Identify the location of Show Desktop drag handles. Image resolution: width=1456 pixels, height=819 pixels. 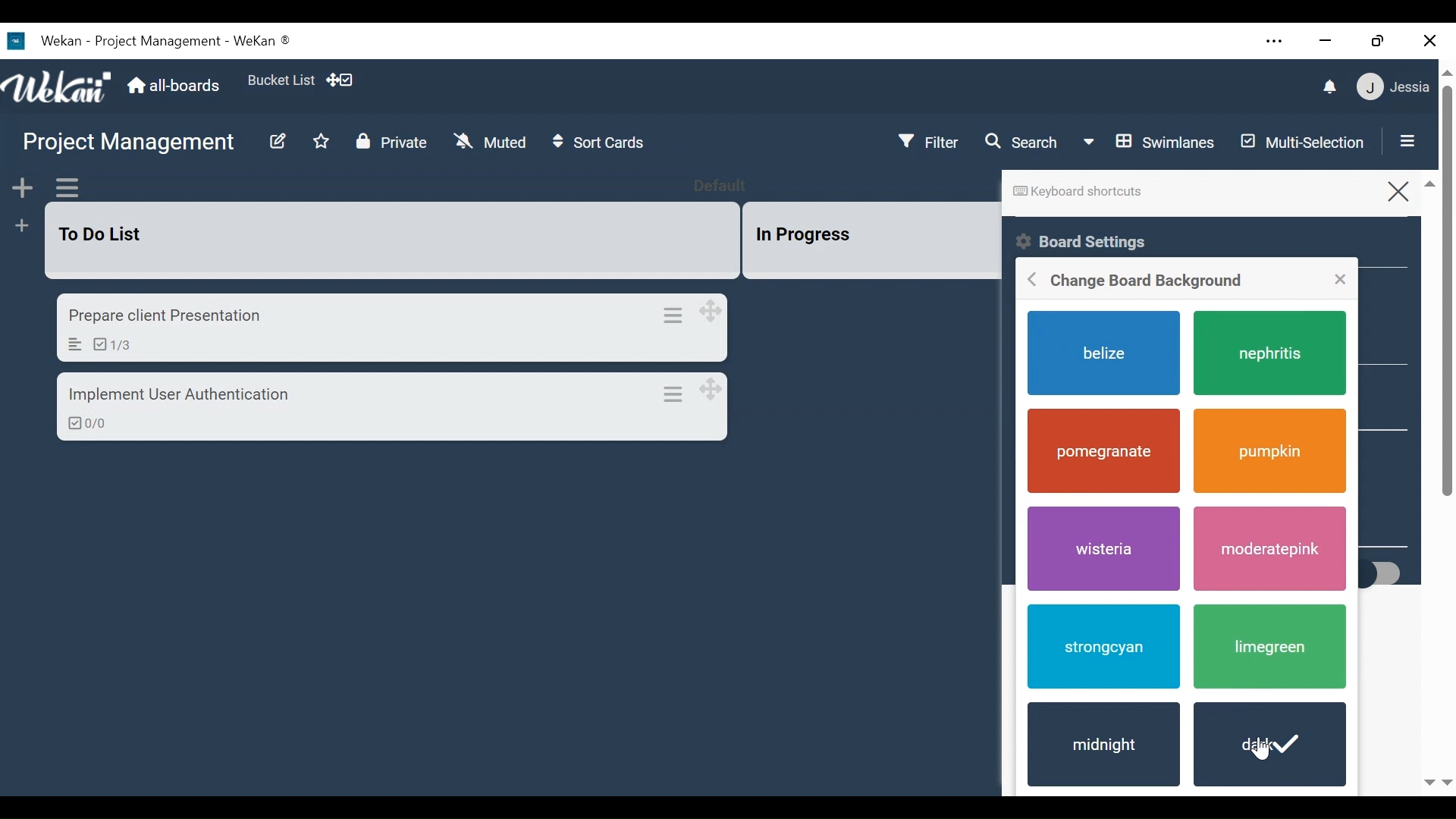
(344, 80).